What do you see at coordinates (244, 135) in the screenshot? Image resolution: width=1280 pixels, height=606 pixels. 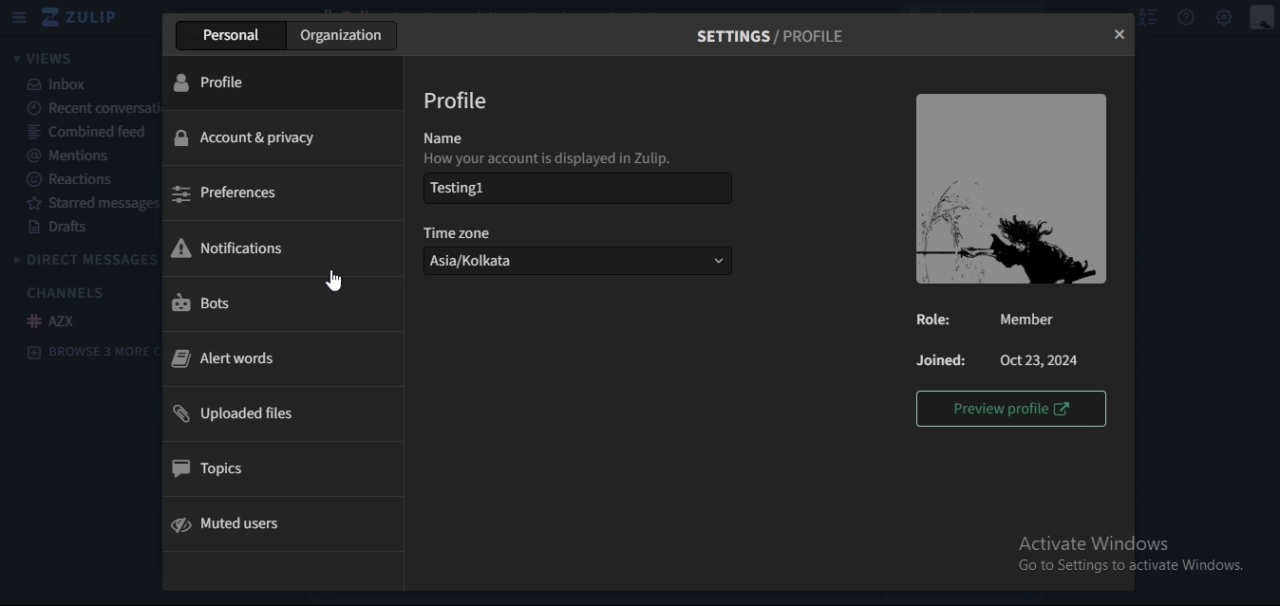 I see `account & privacy` at bounding box center [244, 135].